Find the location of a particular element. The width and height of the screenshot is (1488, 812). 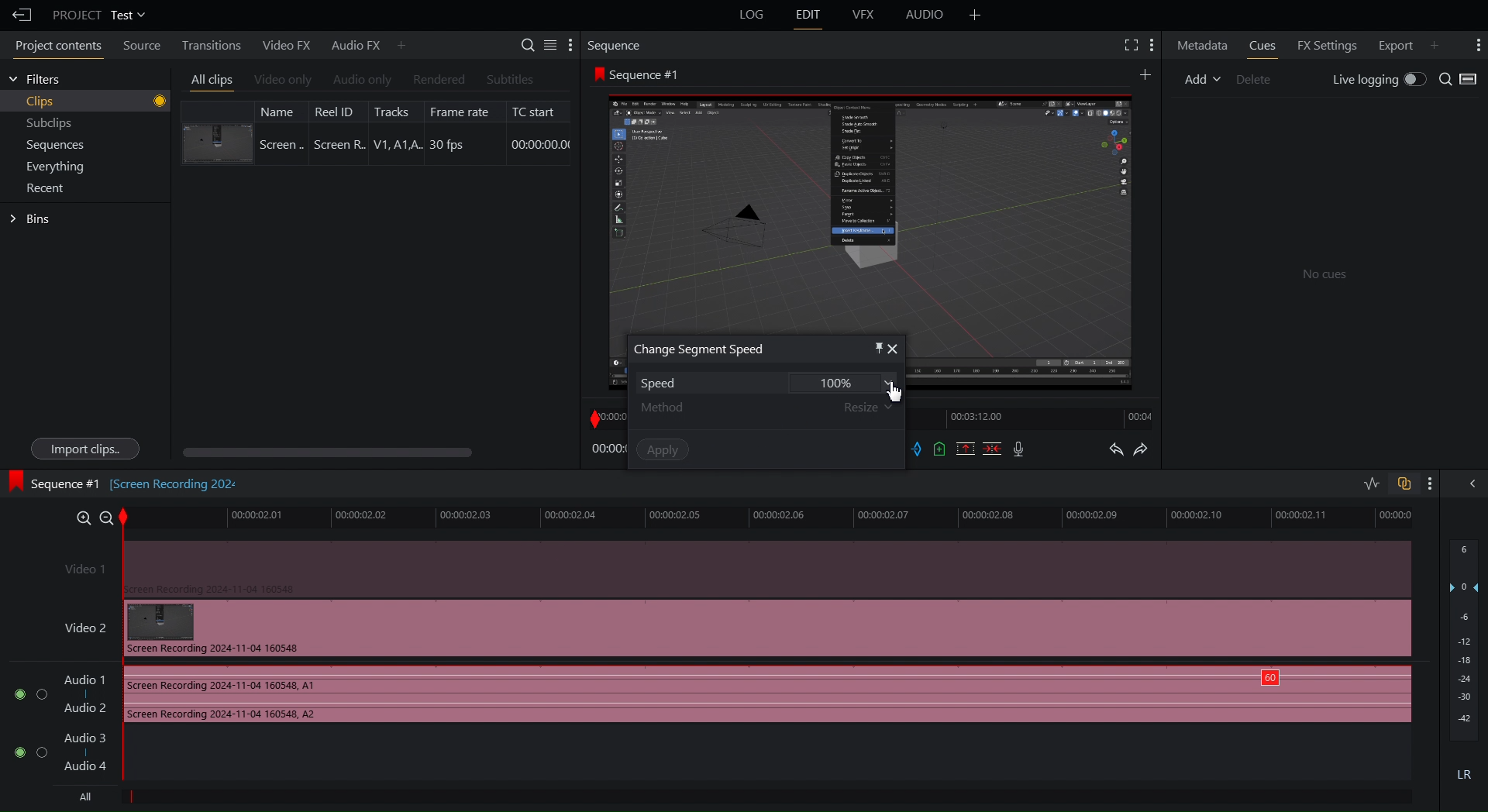

FX Settings is located at coordinates (1324, 43).